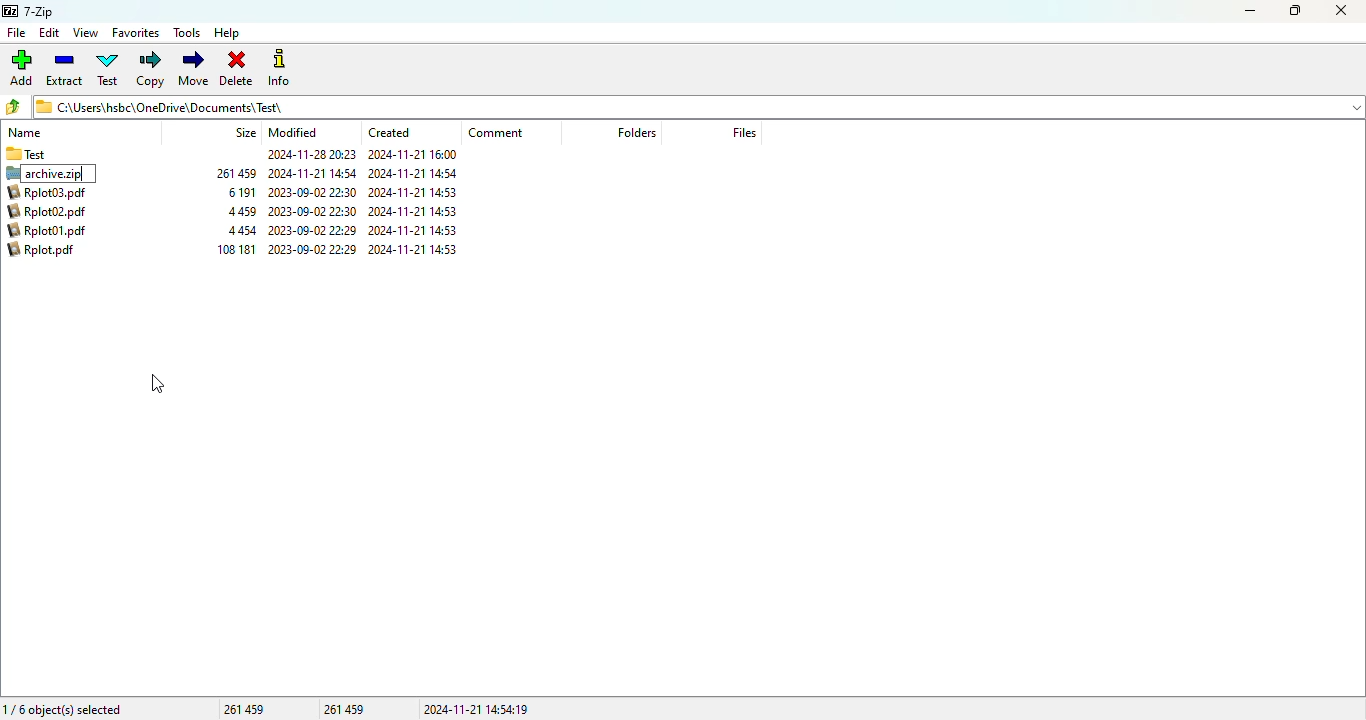 Image resolution: width=1366 pixels, height=720 pixels. I want to click on 2023-09-02 22:30, so click(312, 250).